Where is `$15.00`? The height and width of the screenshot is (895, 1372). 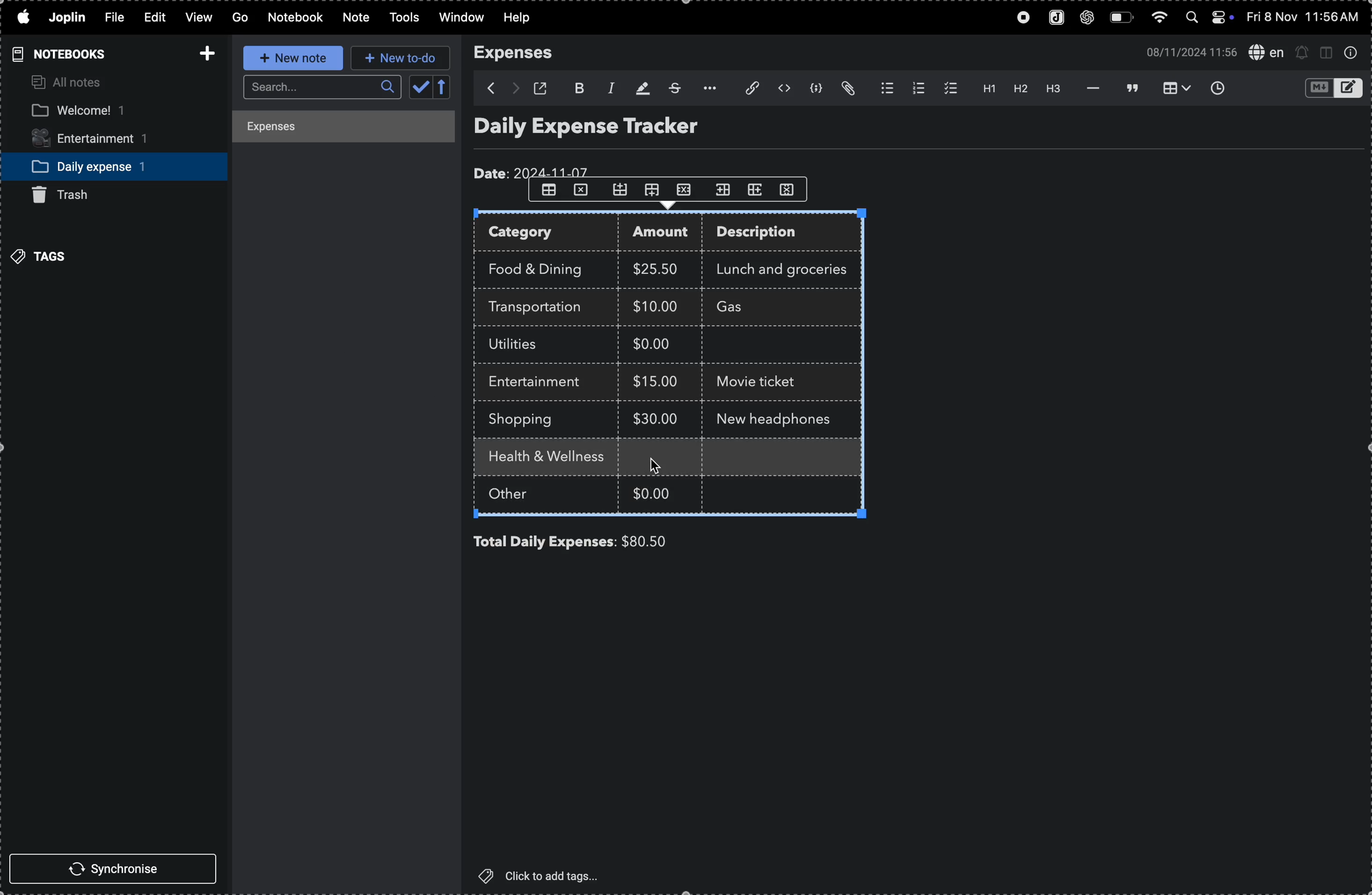 $15.00 is located at coordinates (656, 381).